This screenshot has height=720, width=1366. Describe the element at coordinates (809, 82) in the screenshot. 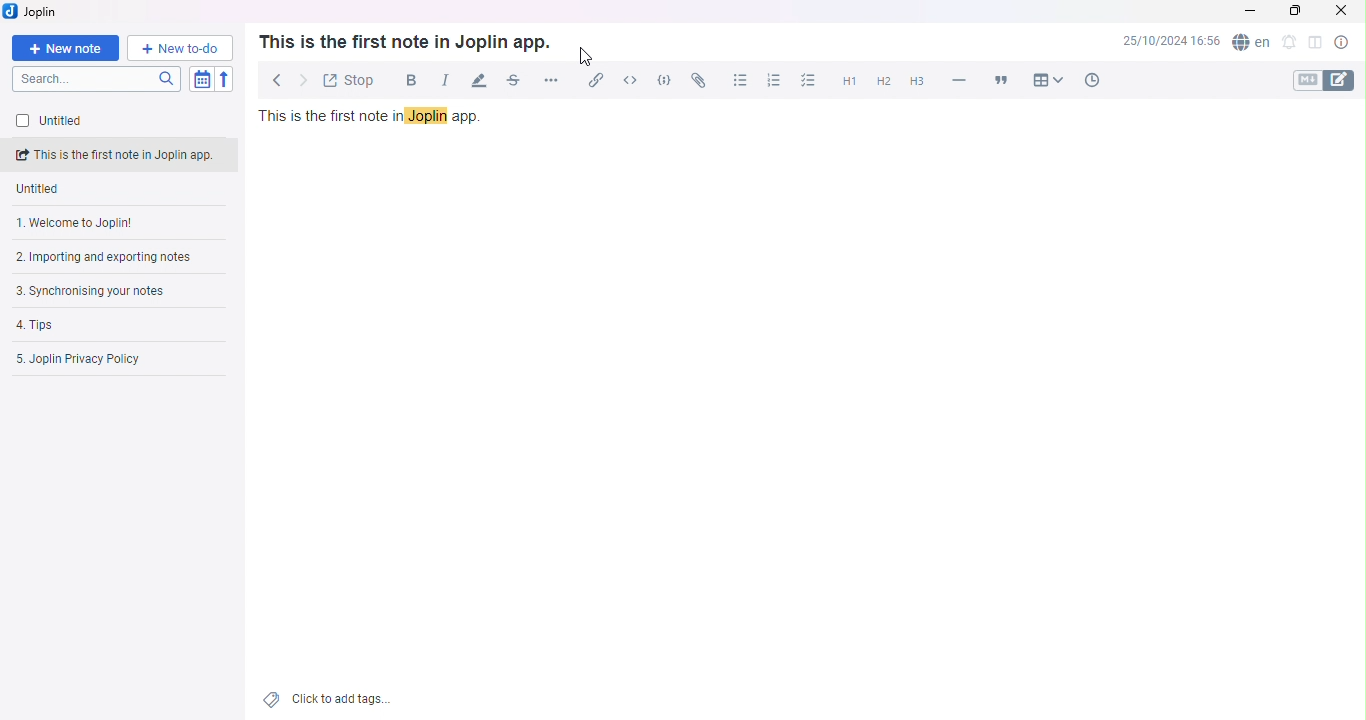

I see `Checkbox list` at that location.